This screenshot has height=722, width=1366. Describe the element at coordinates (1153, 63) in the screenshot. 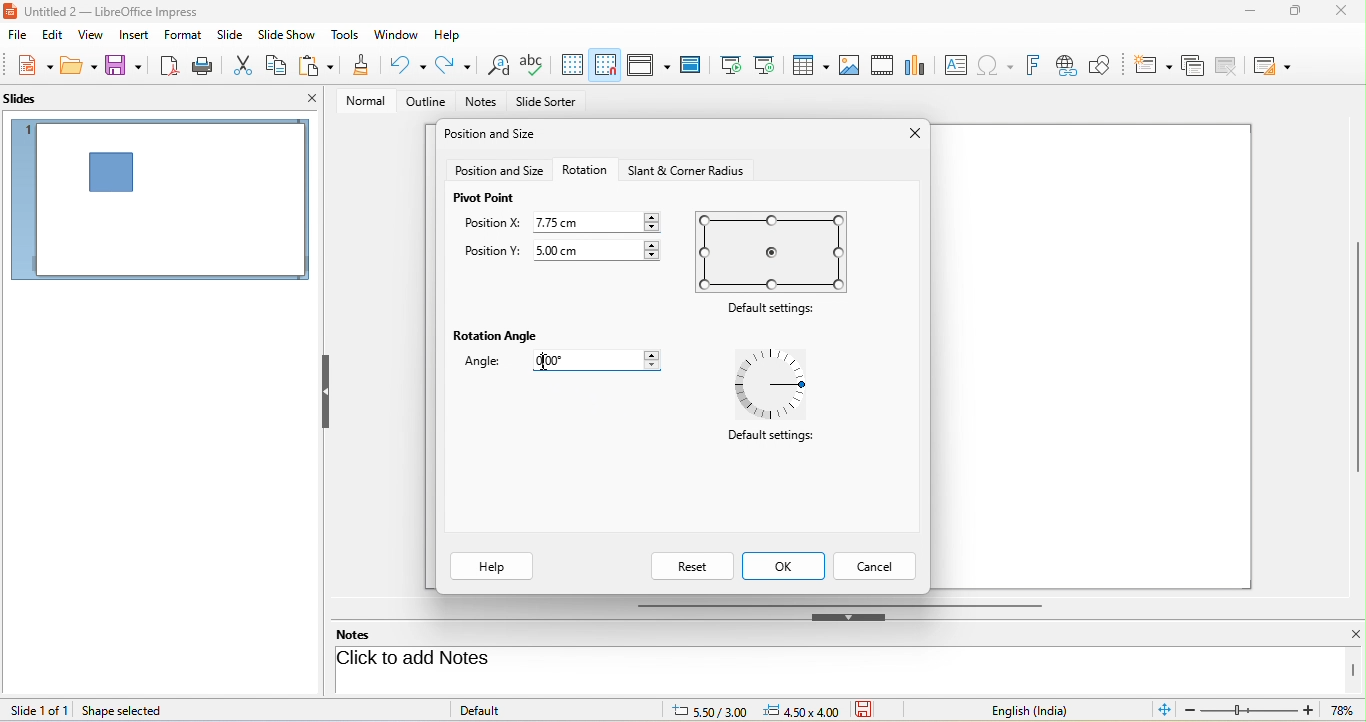

I see `new slide` at that location.